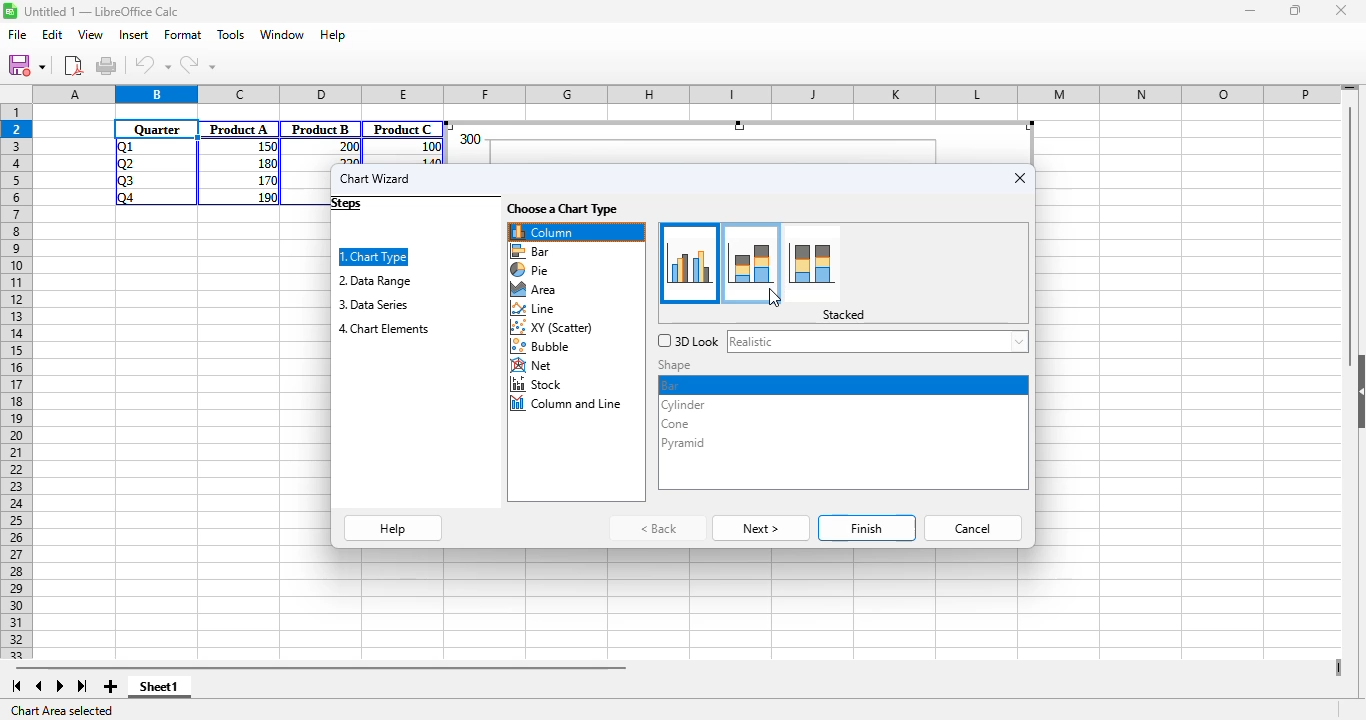  What do you see at coordinates (133, 34) in the screenshot?
I see `insert` at bounding box center [133, 34].